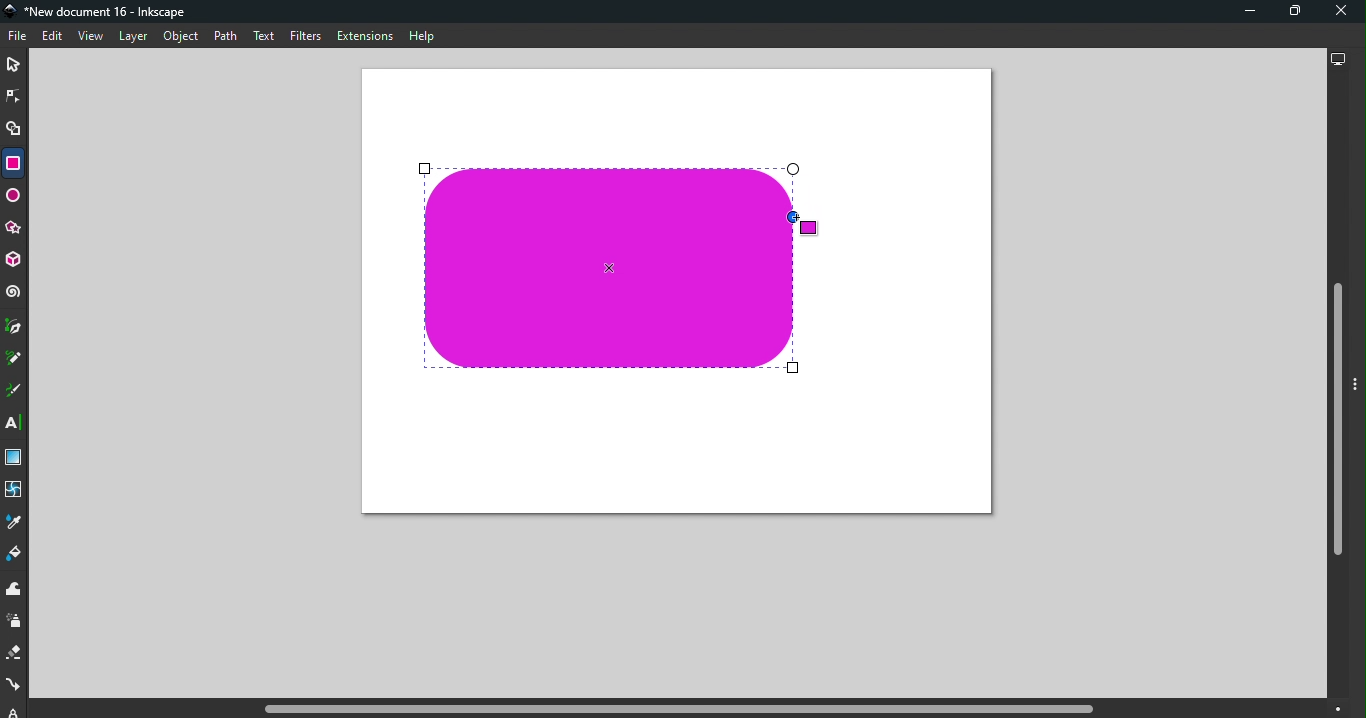 The image size is (1366, 718). I want to click on Selector, so click(13, 66).